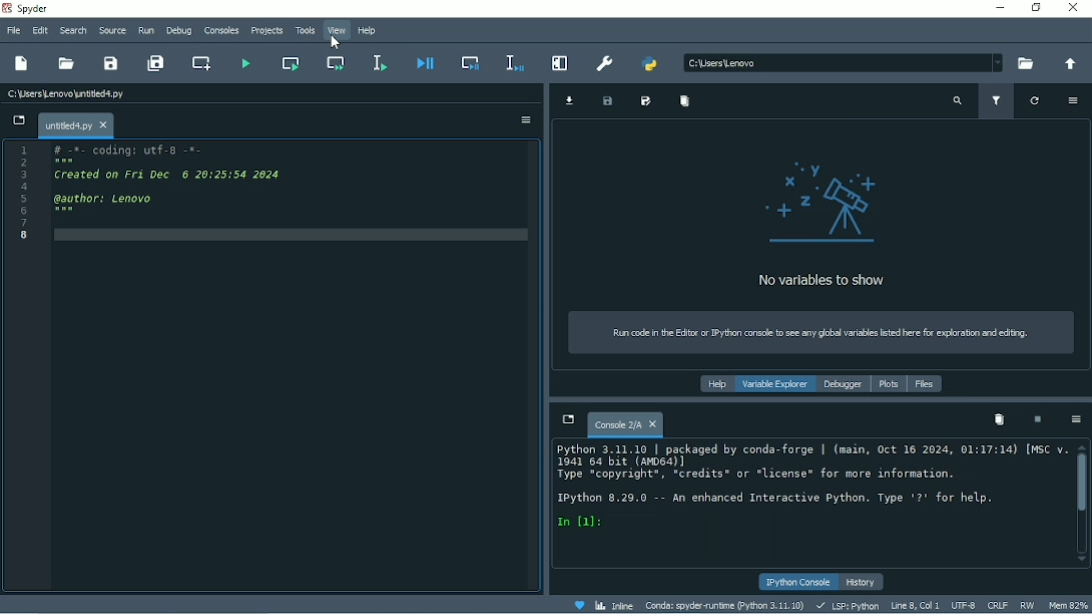  Describe the element at coordinates (827, 225) in the screenshot. I see `No variables to show` at that location.